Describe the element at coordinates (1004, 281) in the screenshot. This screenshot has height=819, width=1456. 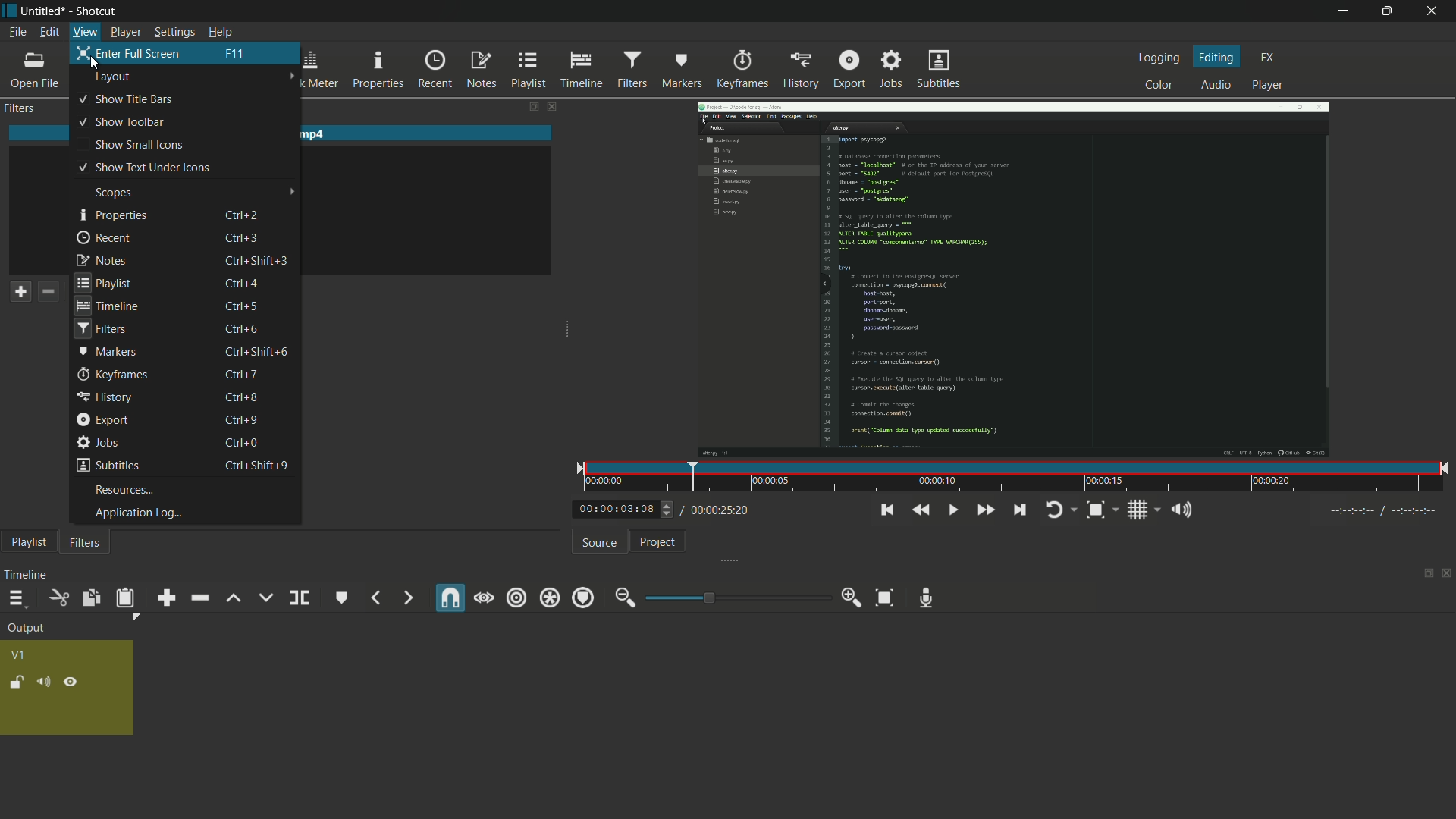
I see `imported video` at that location.